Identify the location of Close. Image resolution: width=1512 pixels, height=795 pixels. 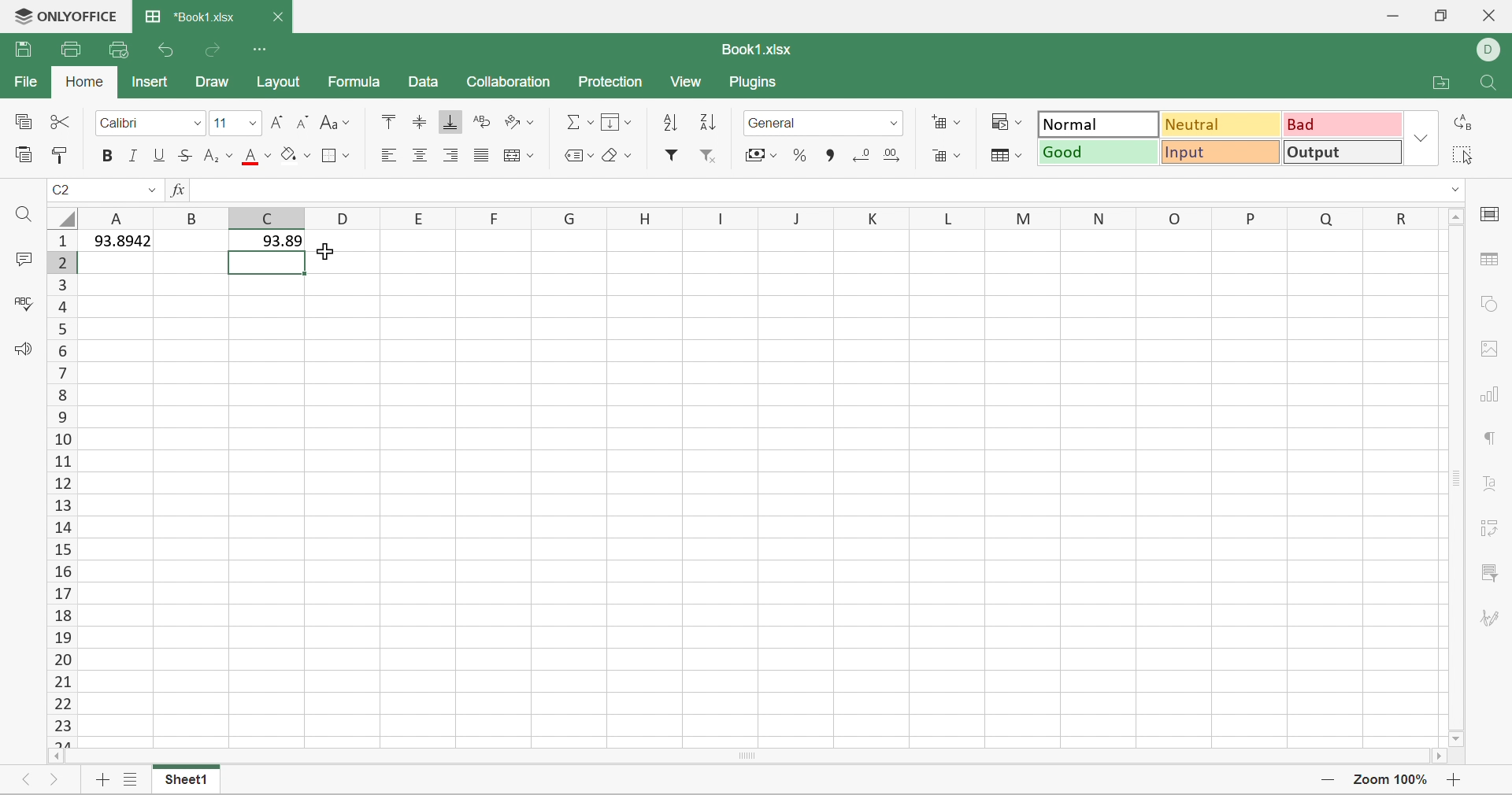
(278, 17).